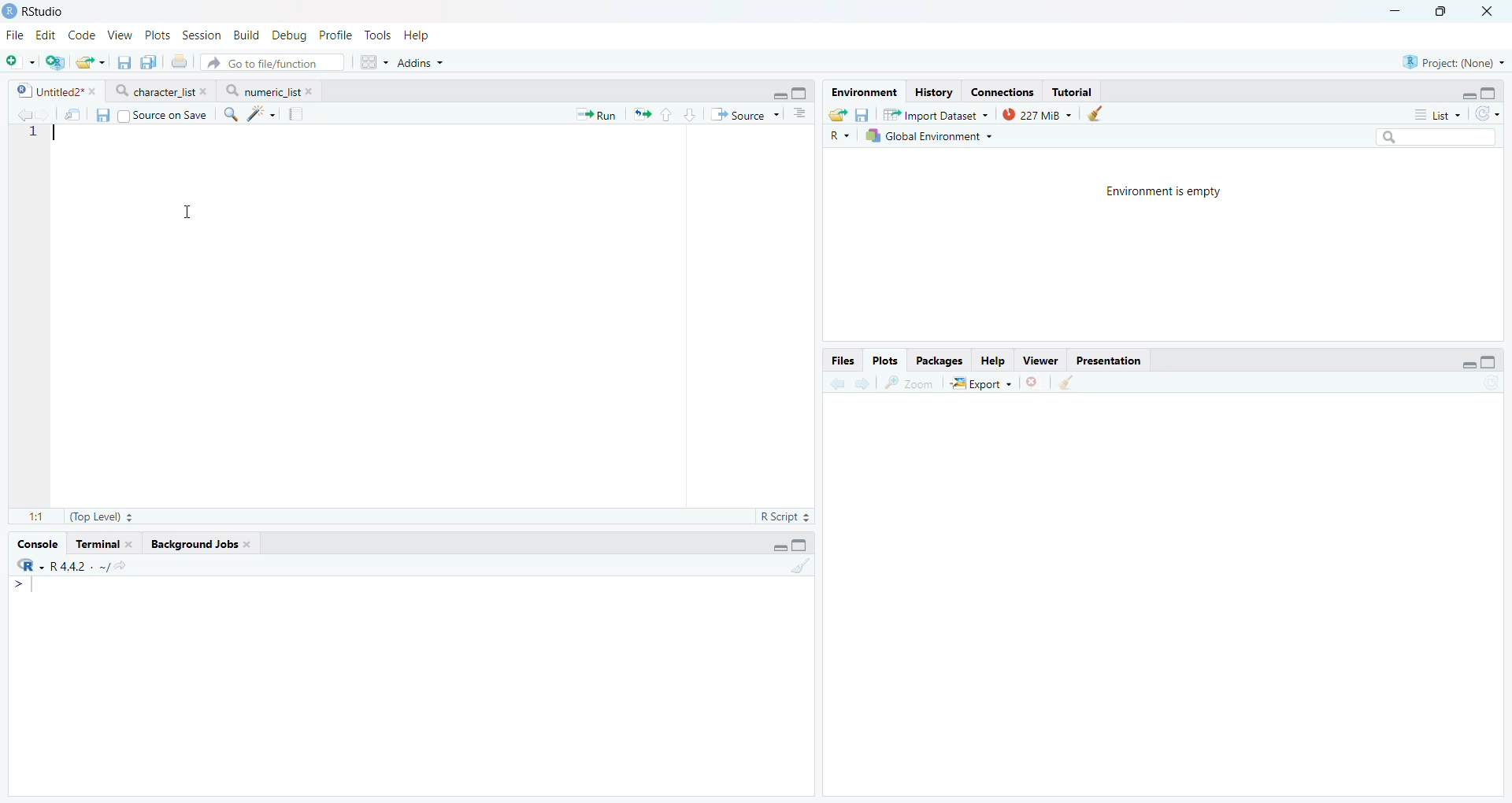 This screenshot has width=1512, height=803. What do you see at coordinates (123, 63) in the screenshot?
I see `Save current file` at bounding box center [123, 63].